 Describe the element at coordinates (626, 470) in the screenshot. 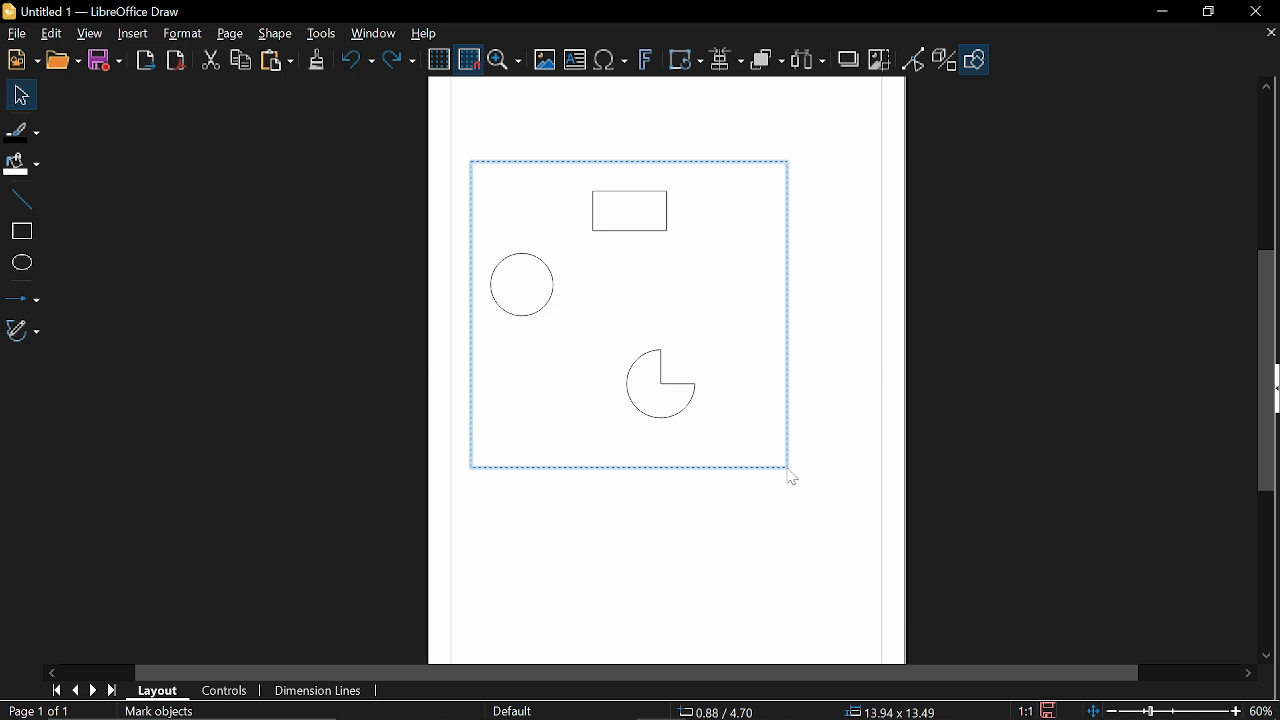

I see `horizontal line around objects` at that location.